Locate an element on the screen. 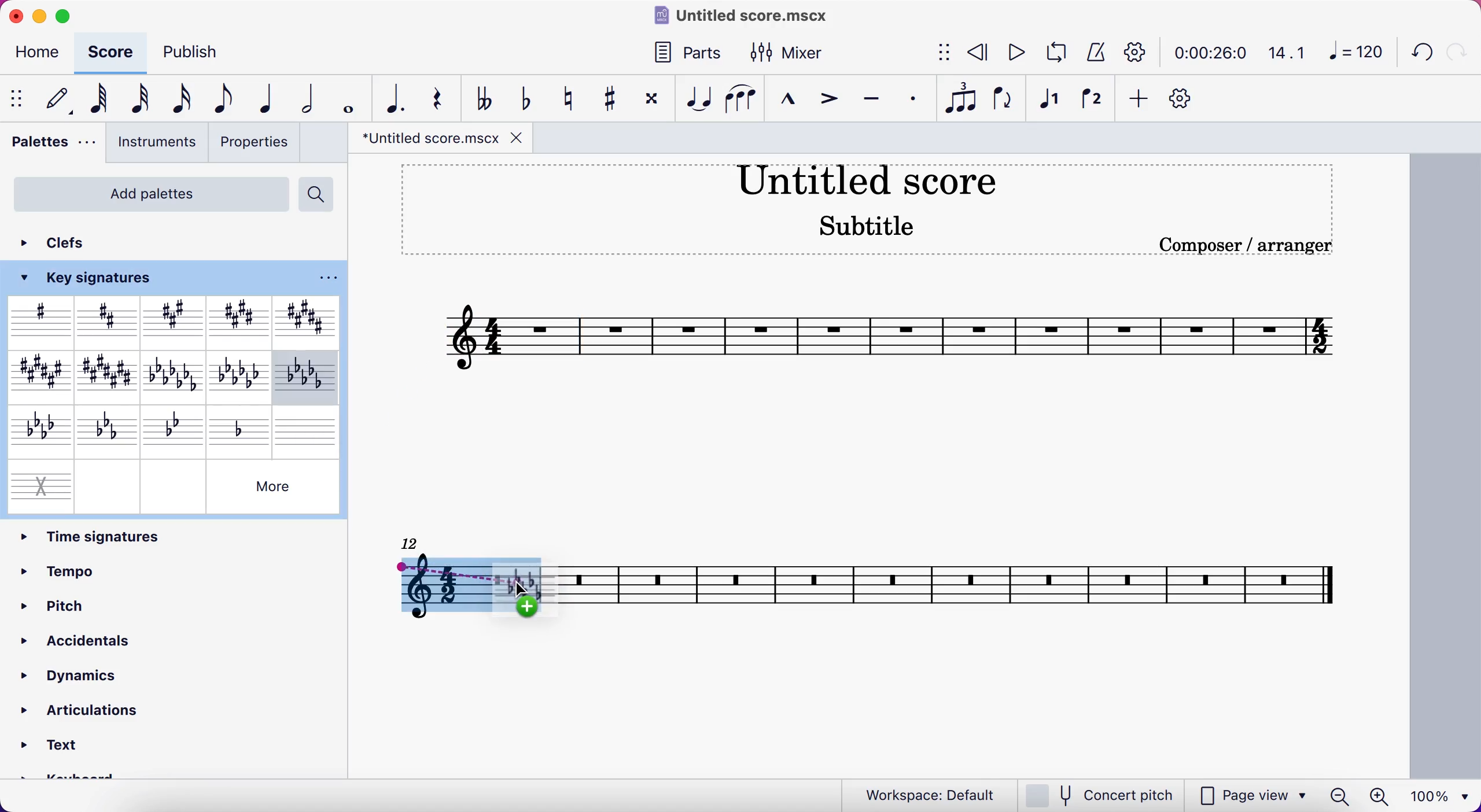 This screenshot has height=812, width=1481. tuplet is located at coordinates (963, 98).